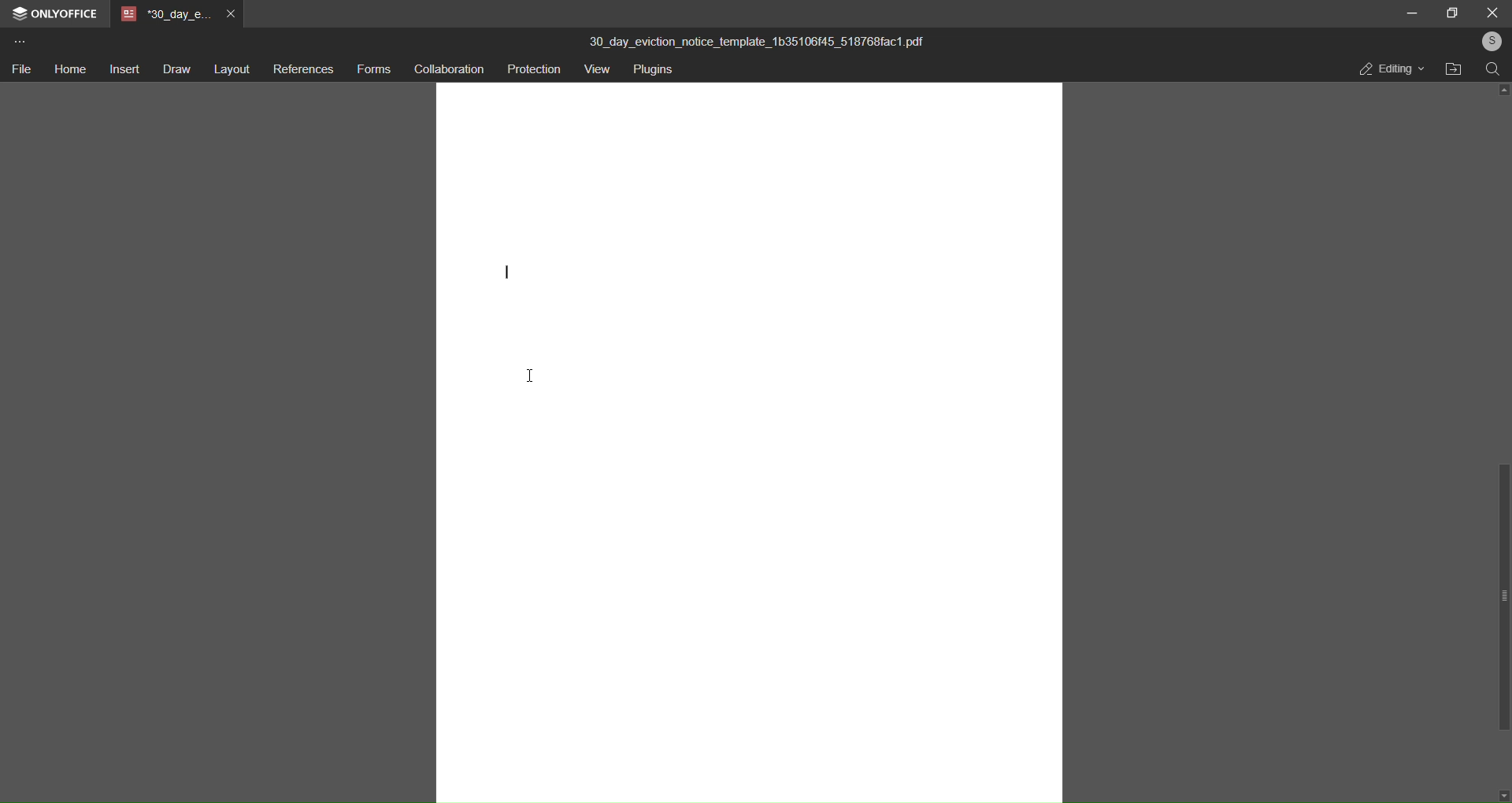 The width and height of the screenshot is (1512, 803). Describe the element at coordinates (176, 70) in the screenshot. I see `draw` at that location.